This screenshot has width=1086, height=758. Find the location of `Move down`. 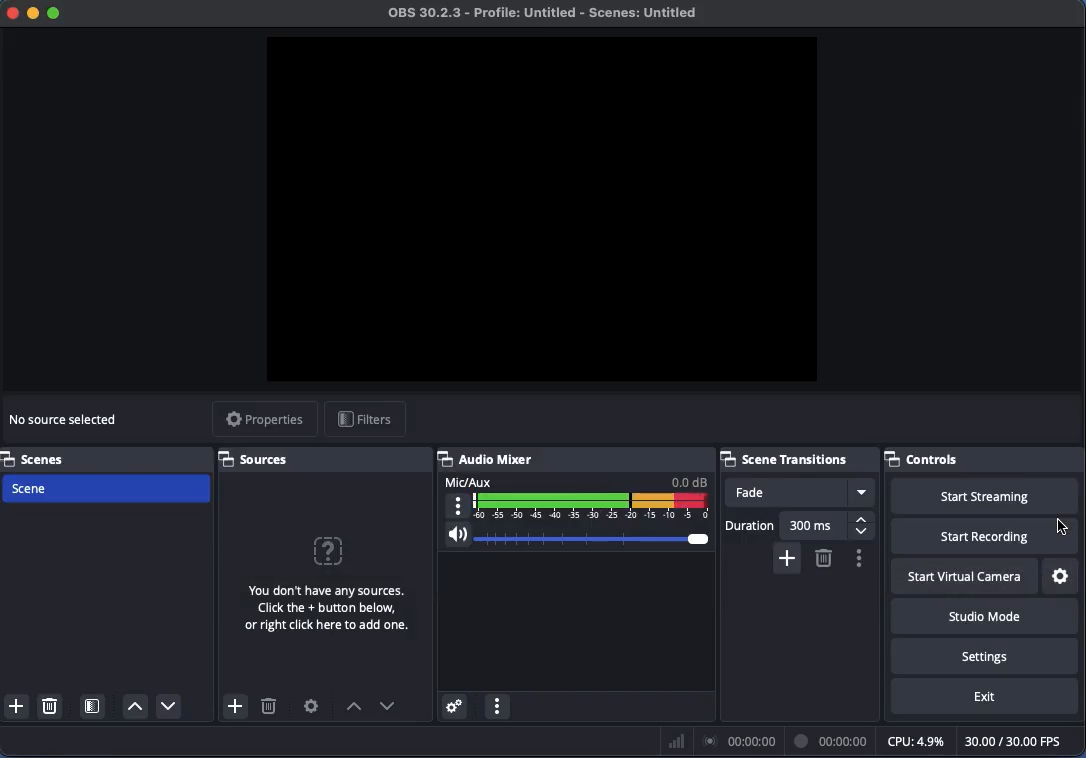

Move down is located at coordinates (167, 705).